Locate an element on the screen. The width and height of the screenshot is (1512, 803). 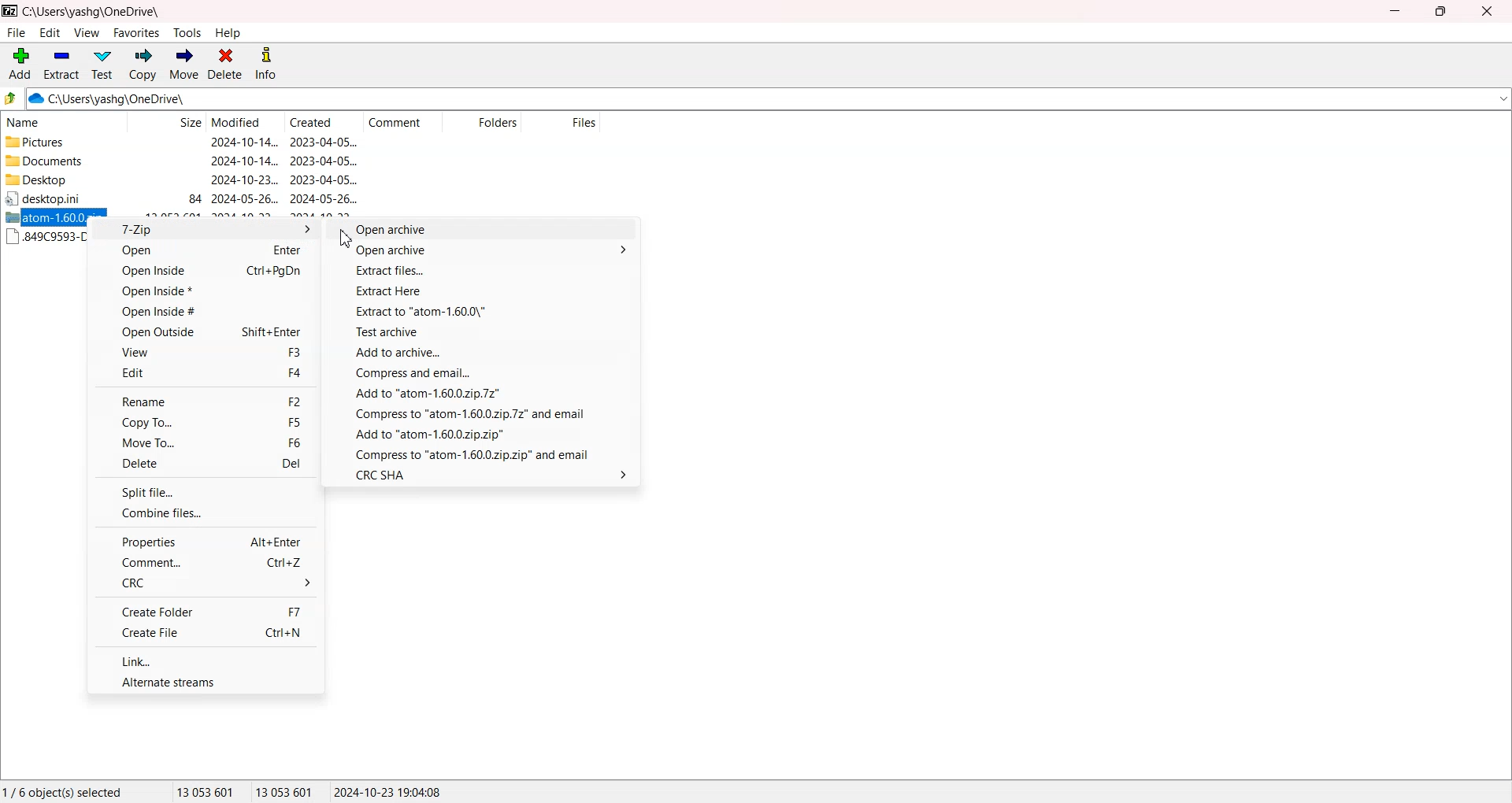
Delete is located at coordinates (205, 464).